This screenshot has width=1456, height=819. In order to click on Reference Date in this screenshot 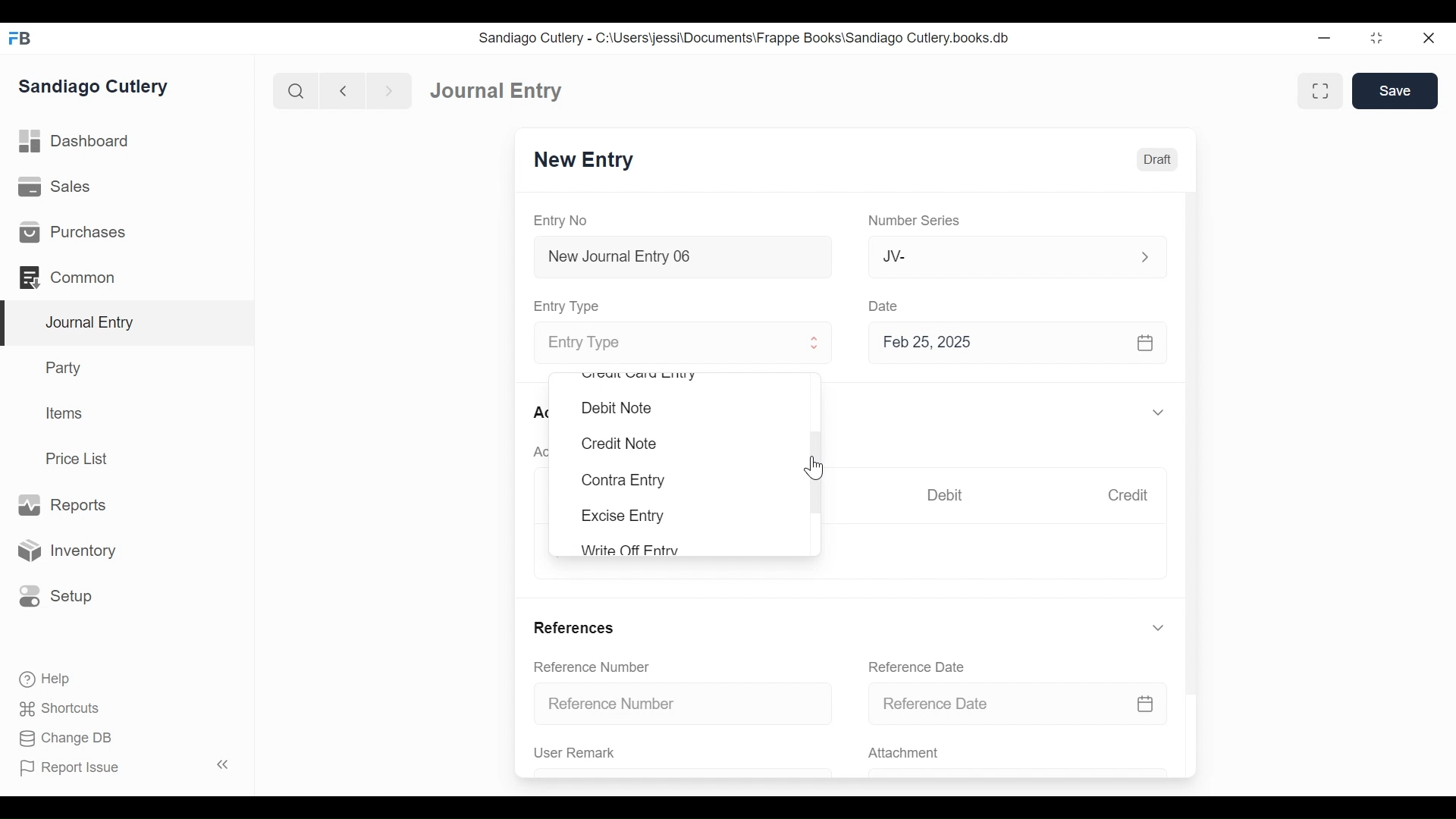, I will do `click(1017, 702)`.